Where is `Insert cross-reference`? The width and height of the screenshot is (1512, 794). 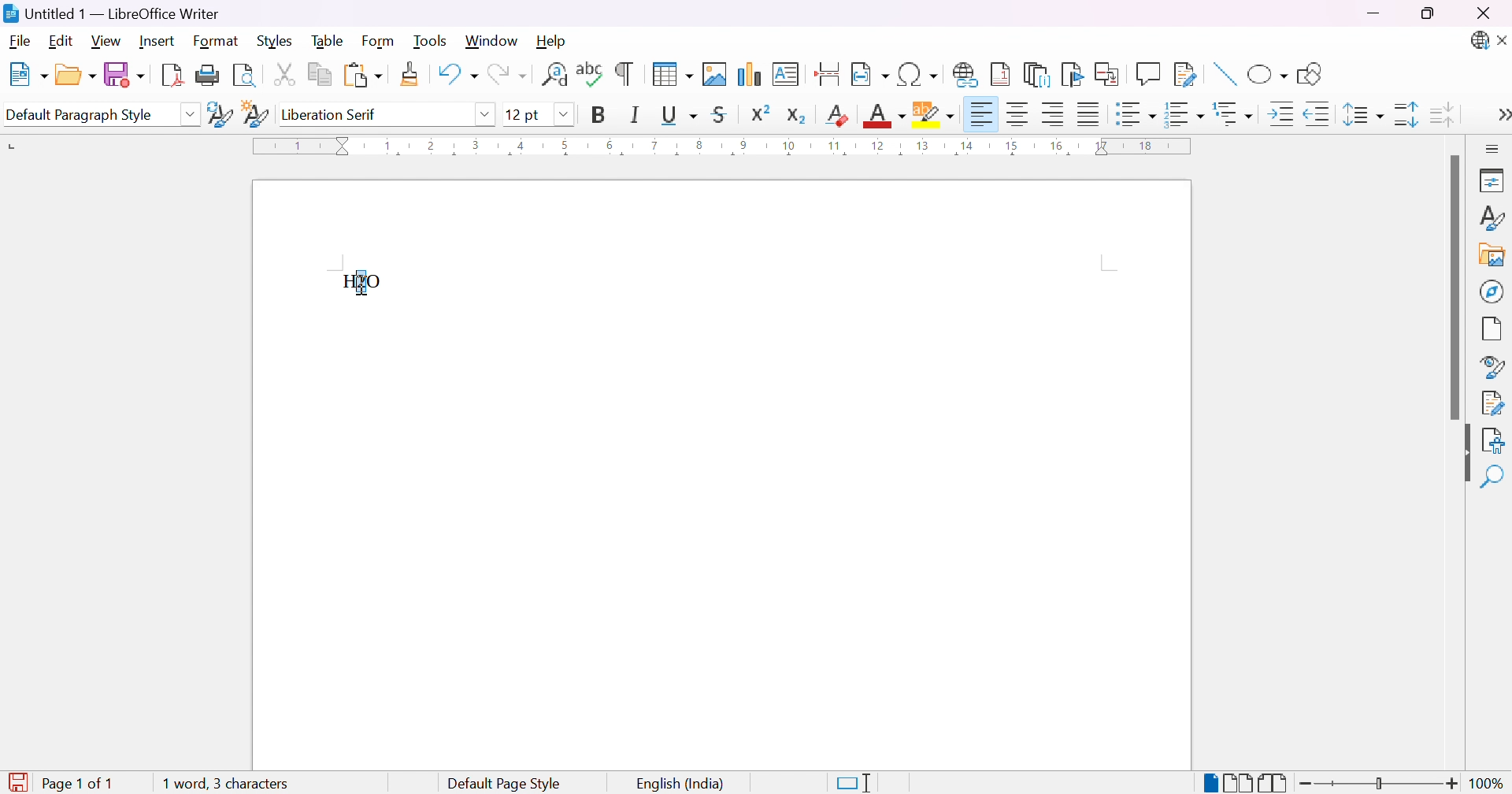
Insert cross-reference is located at coordinates (1110, 72).